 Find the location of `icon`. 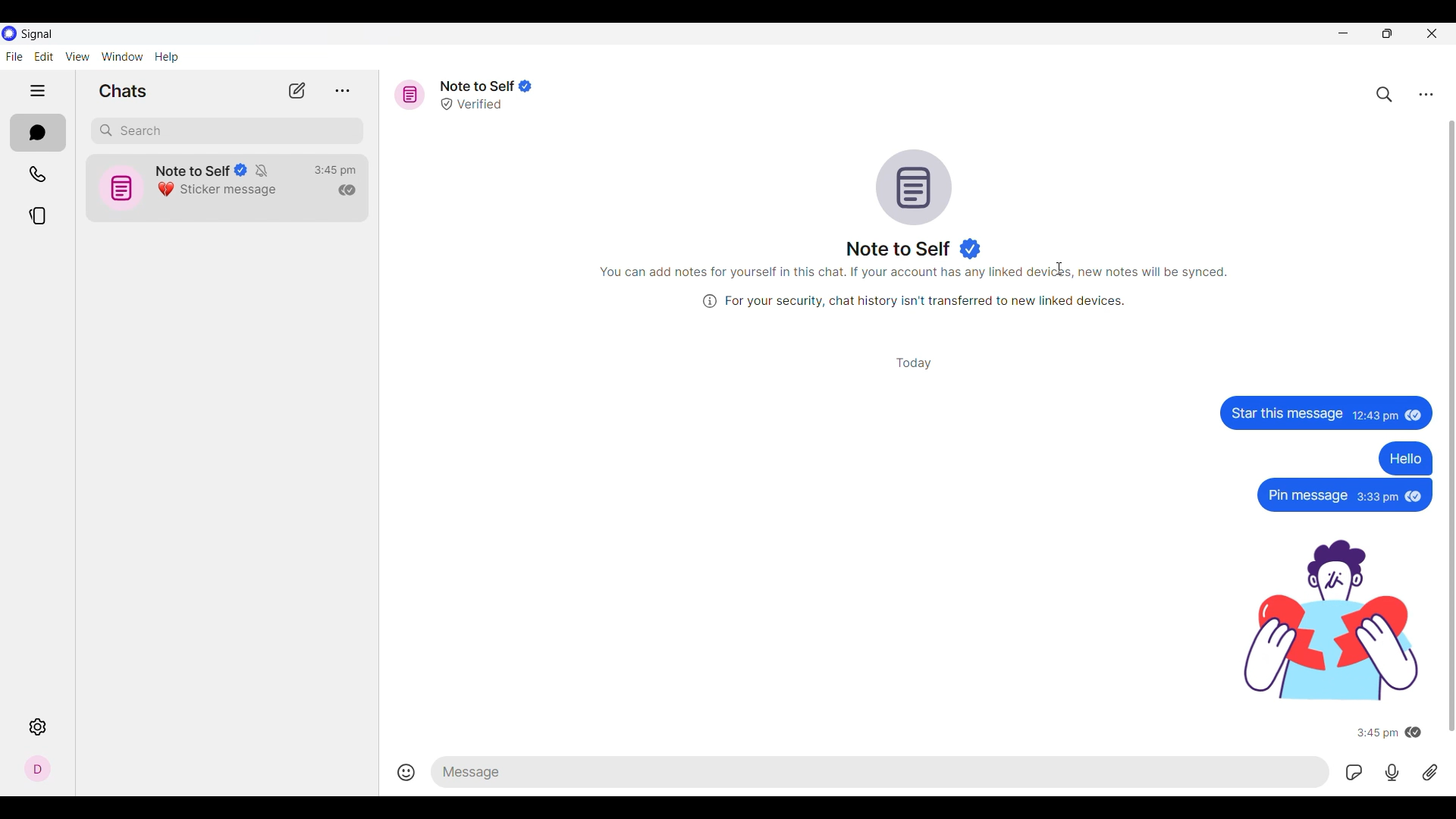

icon is located at coordinates (119, 187).